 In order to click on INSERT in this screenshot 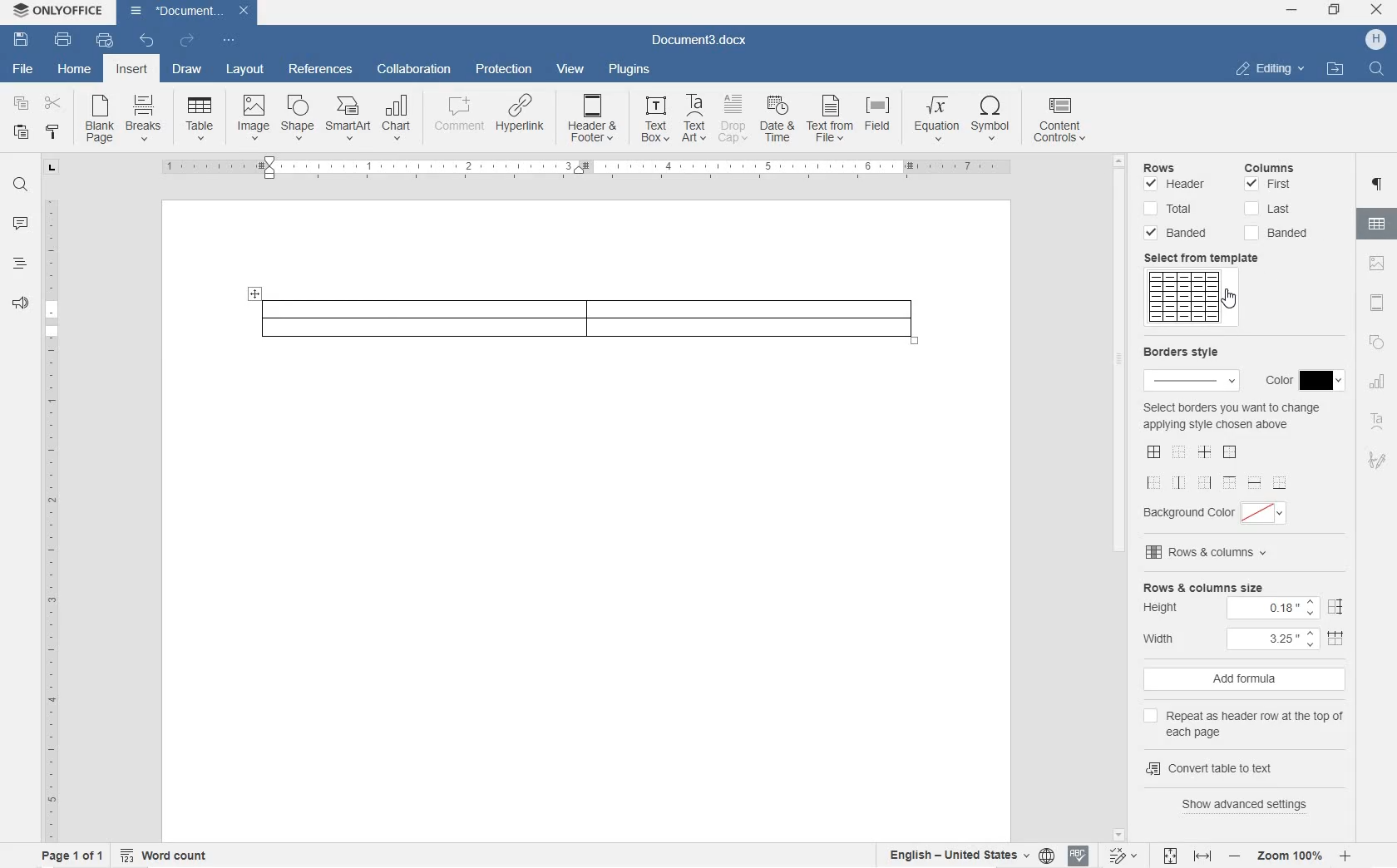, I will do `click(134, 72)`.